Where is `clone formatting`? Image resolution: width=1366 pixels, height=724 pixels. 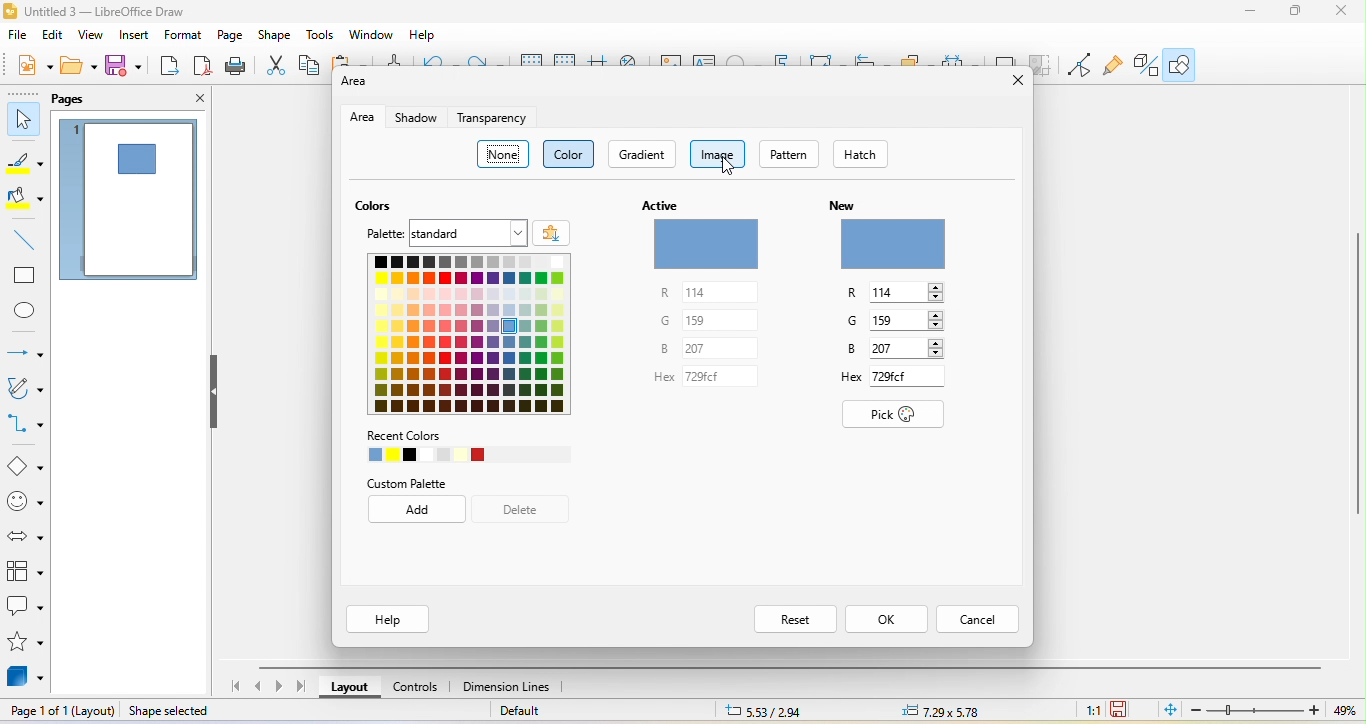 clone formatting is located at coordinates (393, 61).